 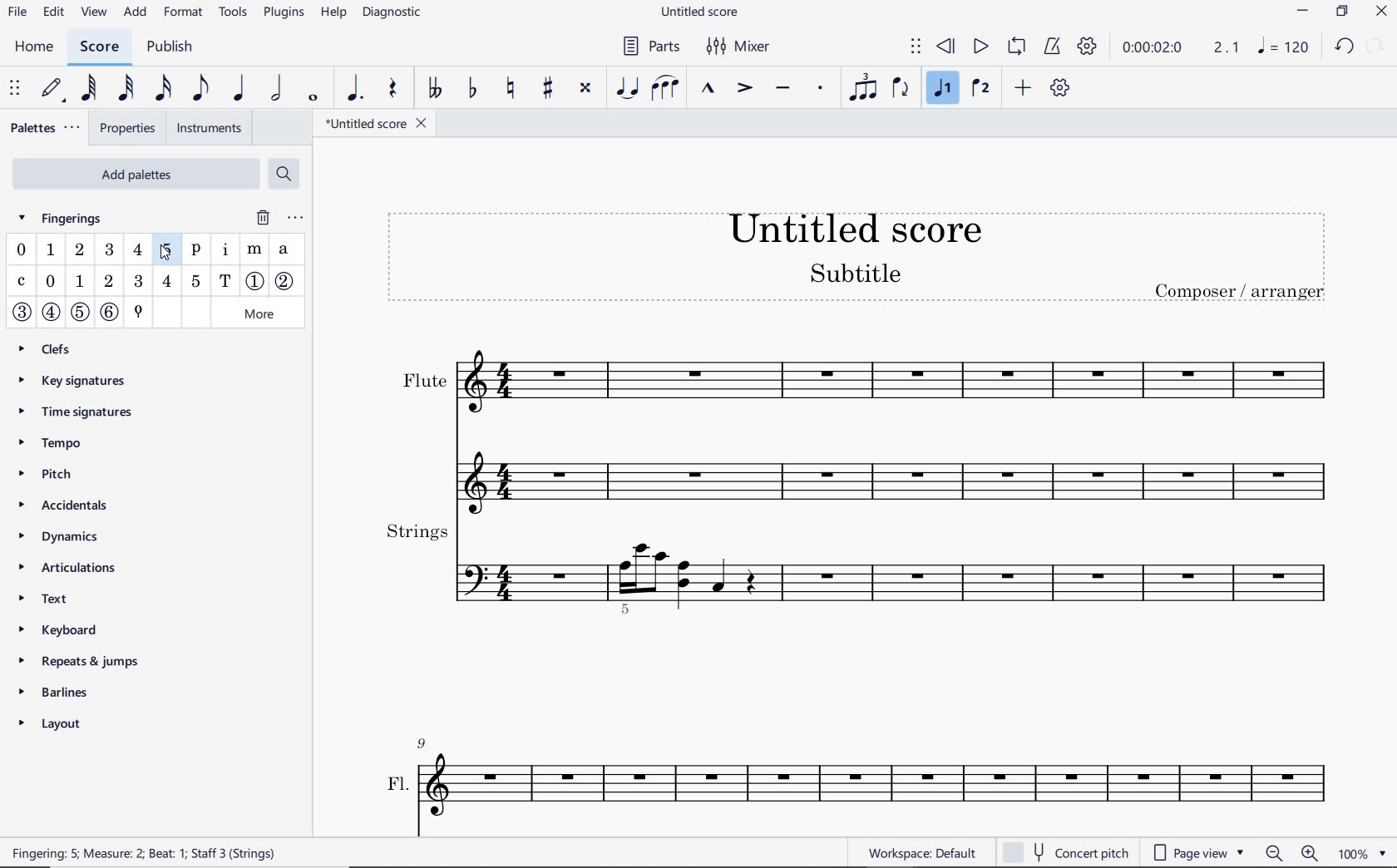 What do you see at coordinates (111, 250) in the screenshot?
I see `fingering 3` at bounding box center [111, 250].